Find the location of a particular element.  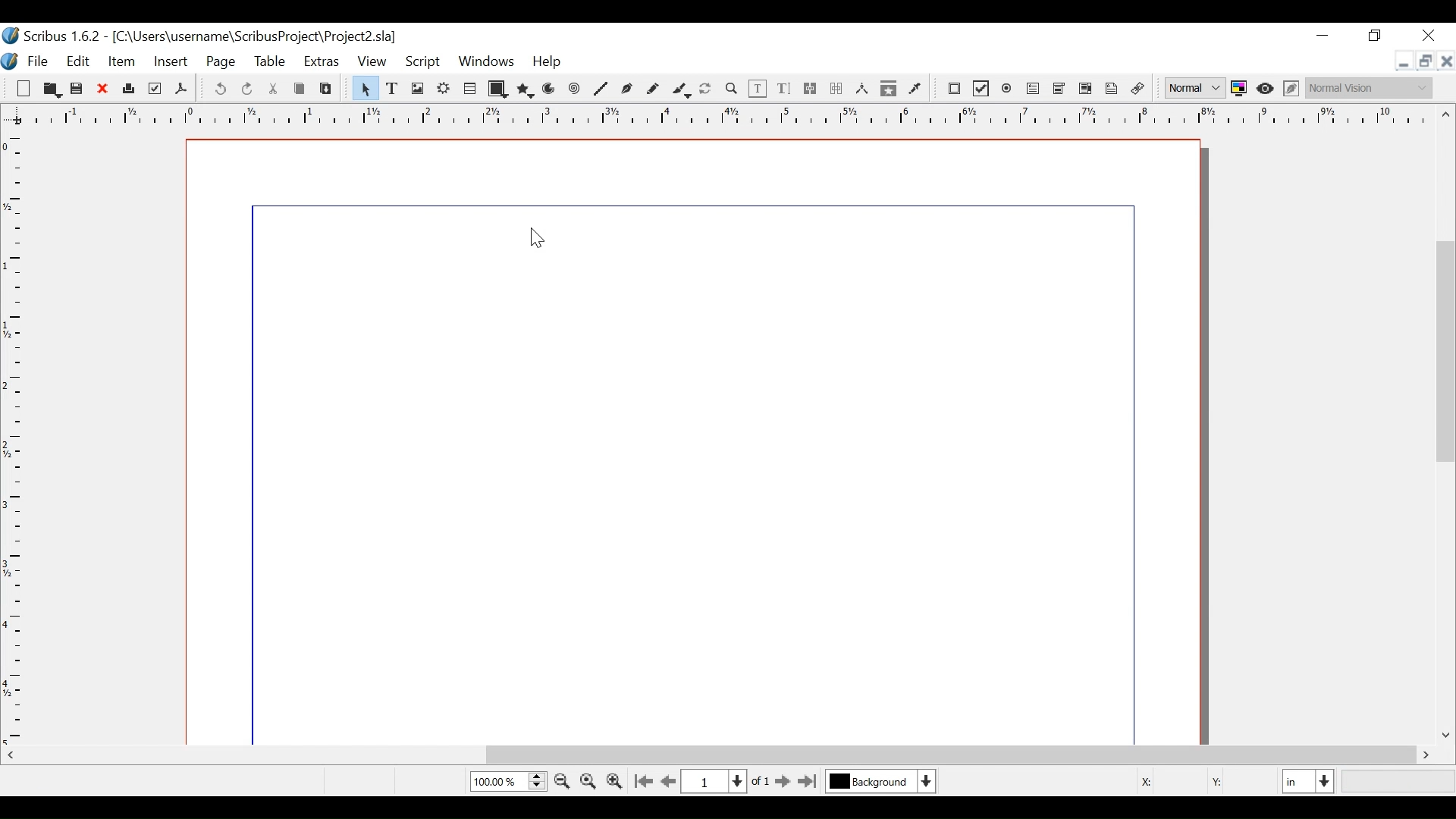

close is located at coordinates (1446, 61).